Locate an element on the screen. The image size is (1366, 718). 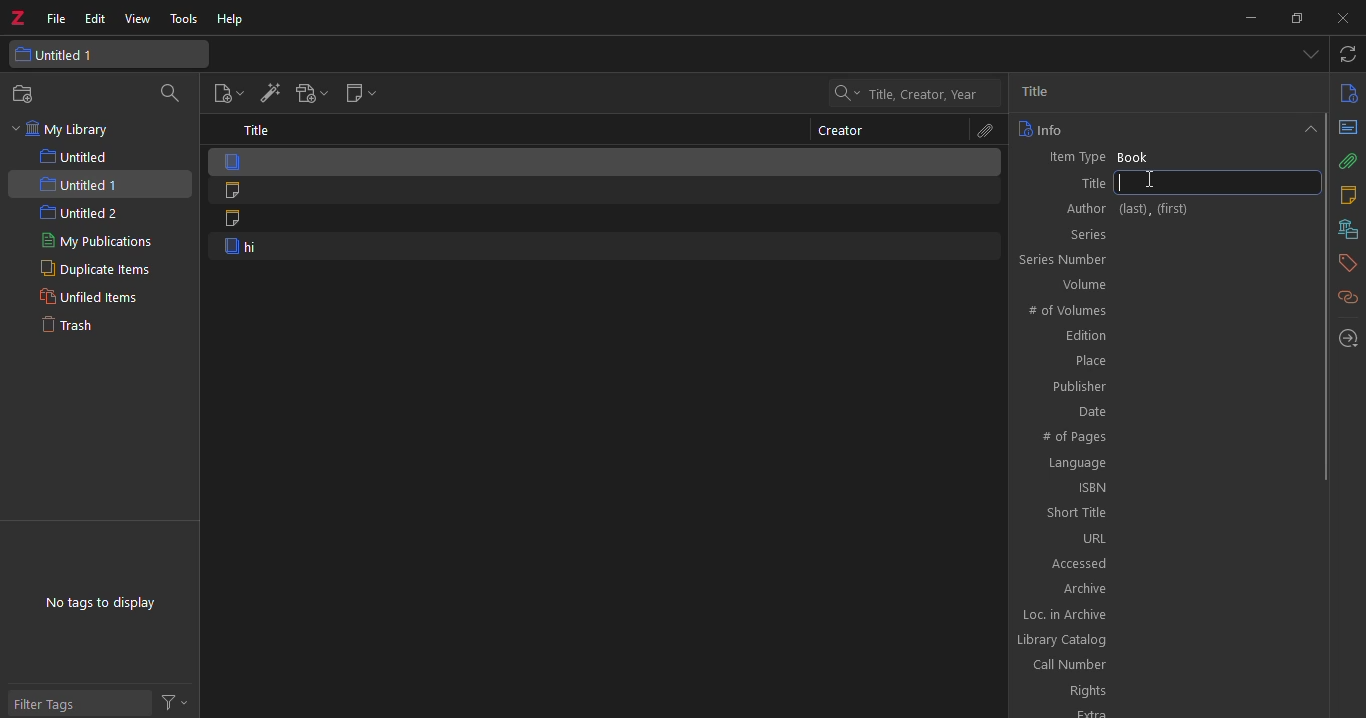
no tags is located at coordinates (99, 603).